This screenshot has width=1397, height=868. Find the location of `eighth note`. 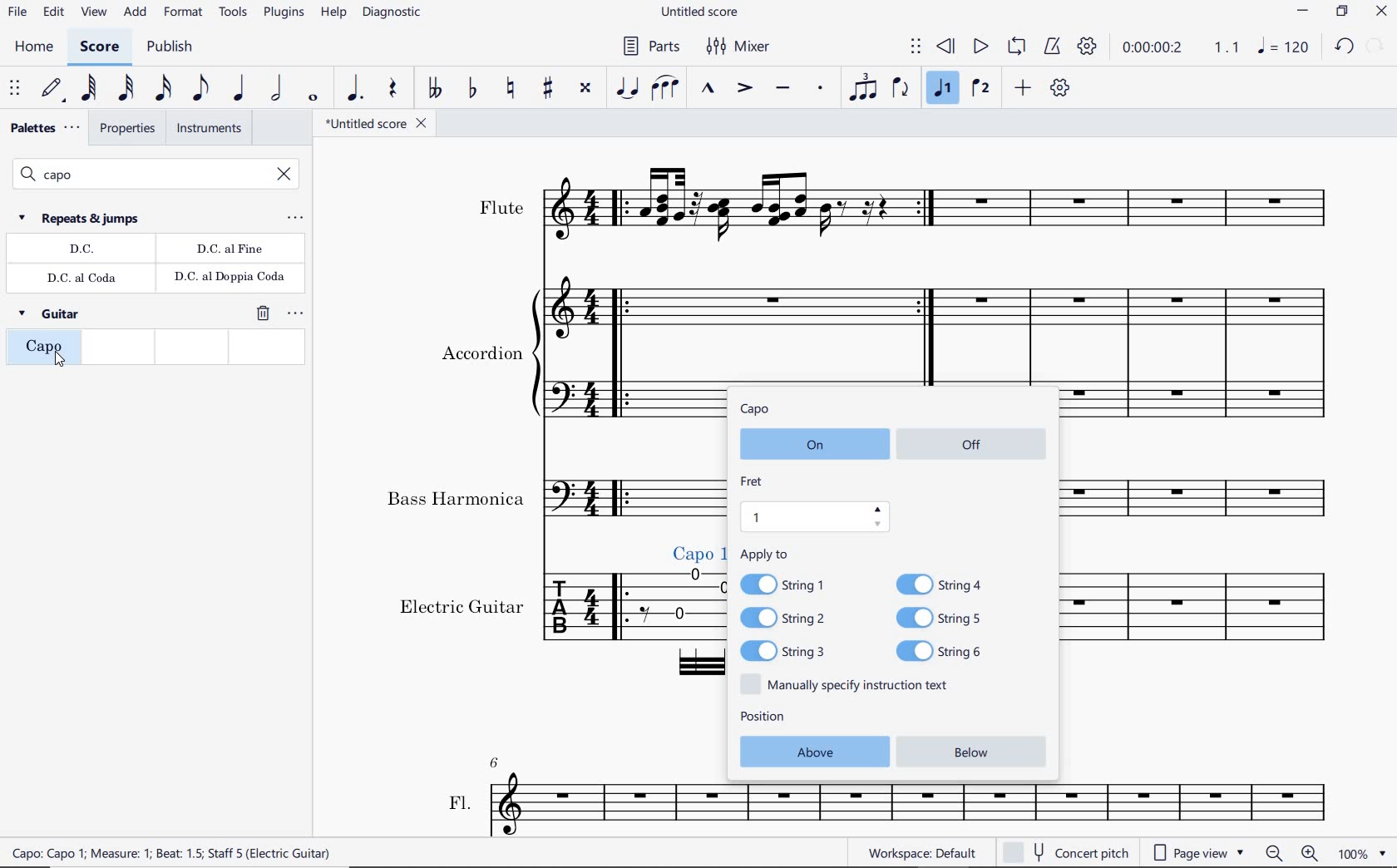

eighth note is located at coordinates (201, 88).